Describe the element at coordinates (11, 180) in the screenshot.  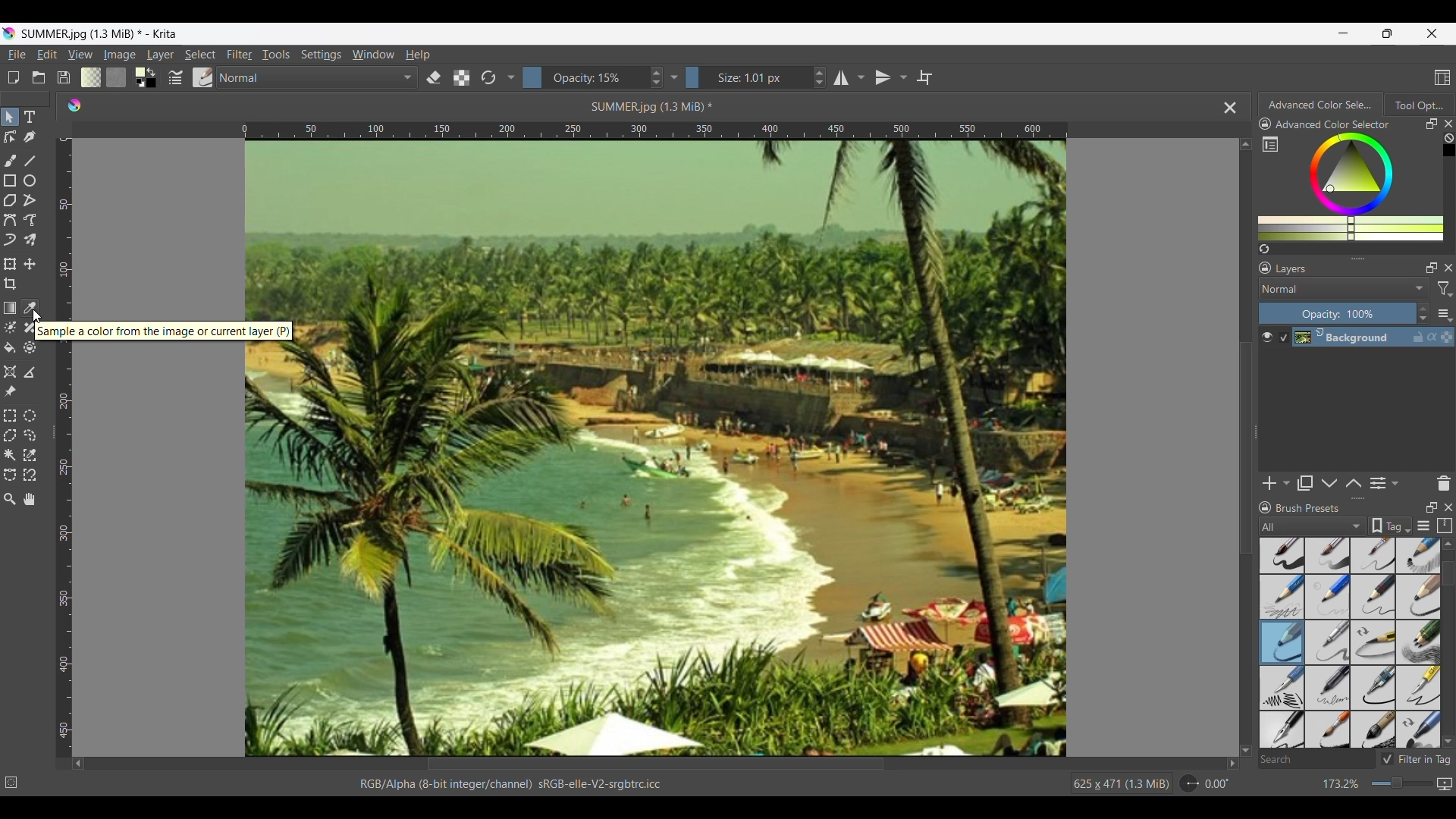
I see `Rectangle tool` at that location.